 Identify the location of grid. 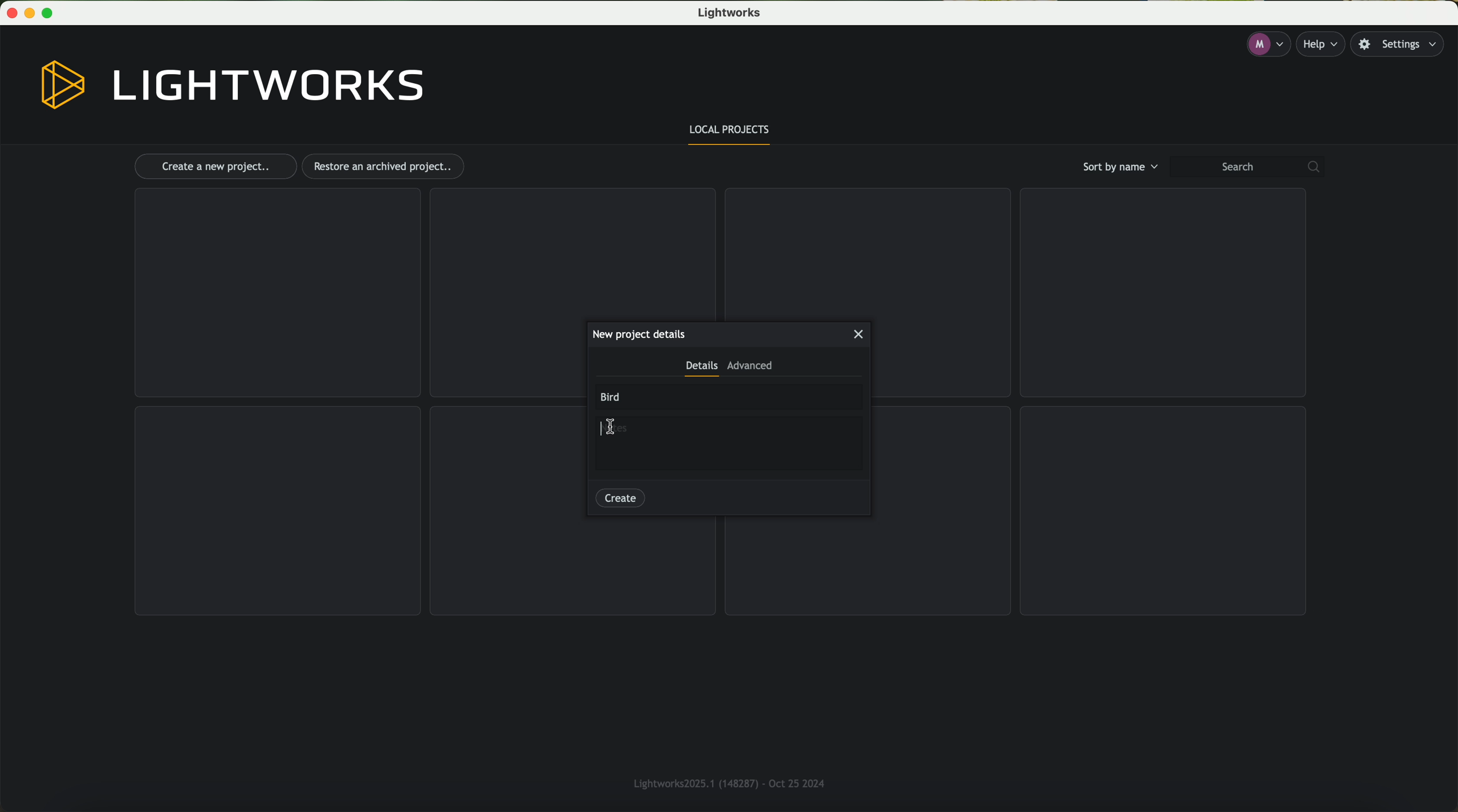
(278, 511).